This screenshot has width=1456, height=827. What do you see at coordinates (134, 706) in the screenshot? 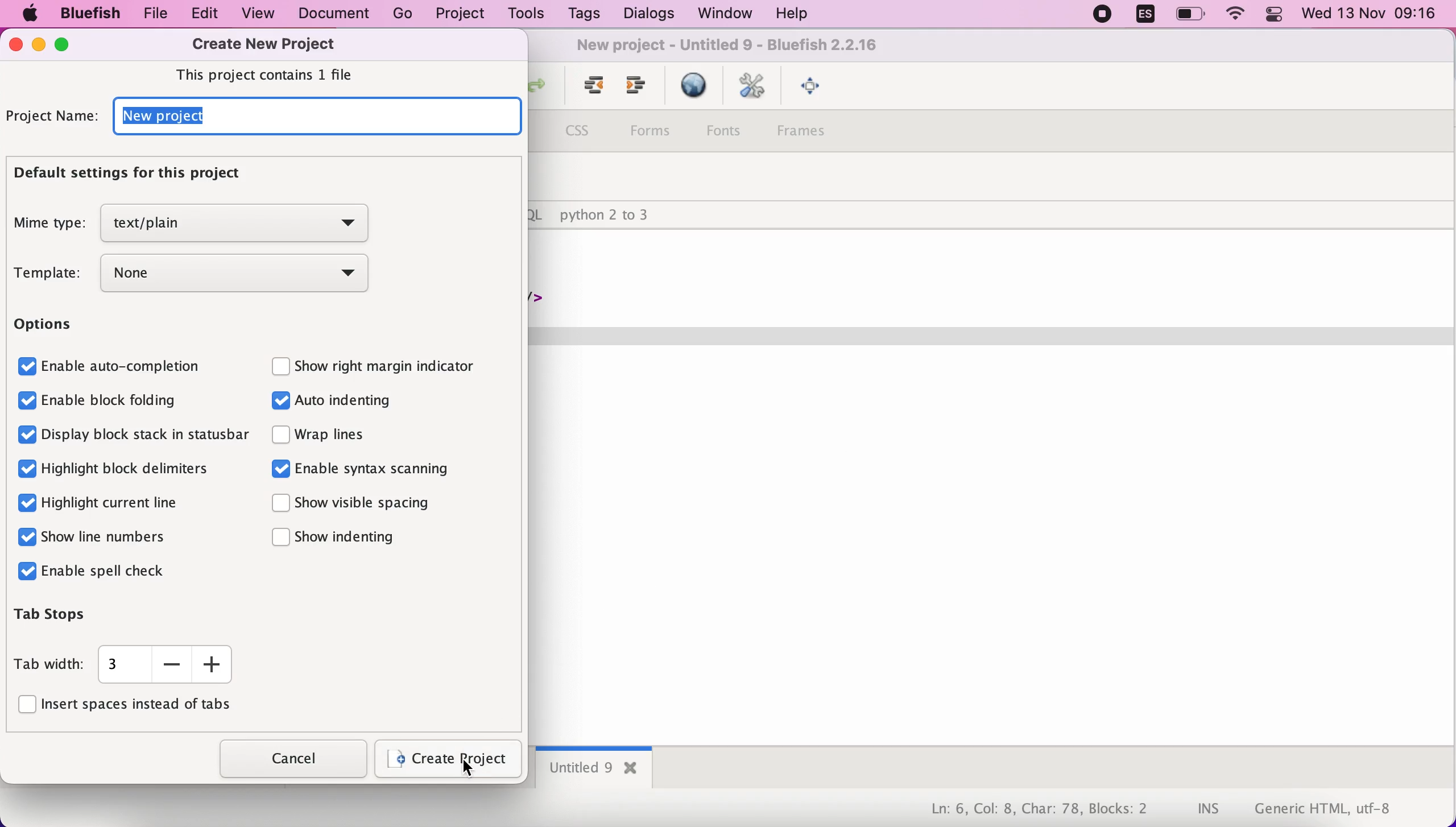
I see `insert spaces instead of tabs` at bounding box center [134, 706].